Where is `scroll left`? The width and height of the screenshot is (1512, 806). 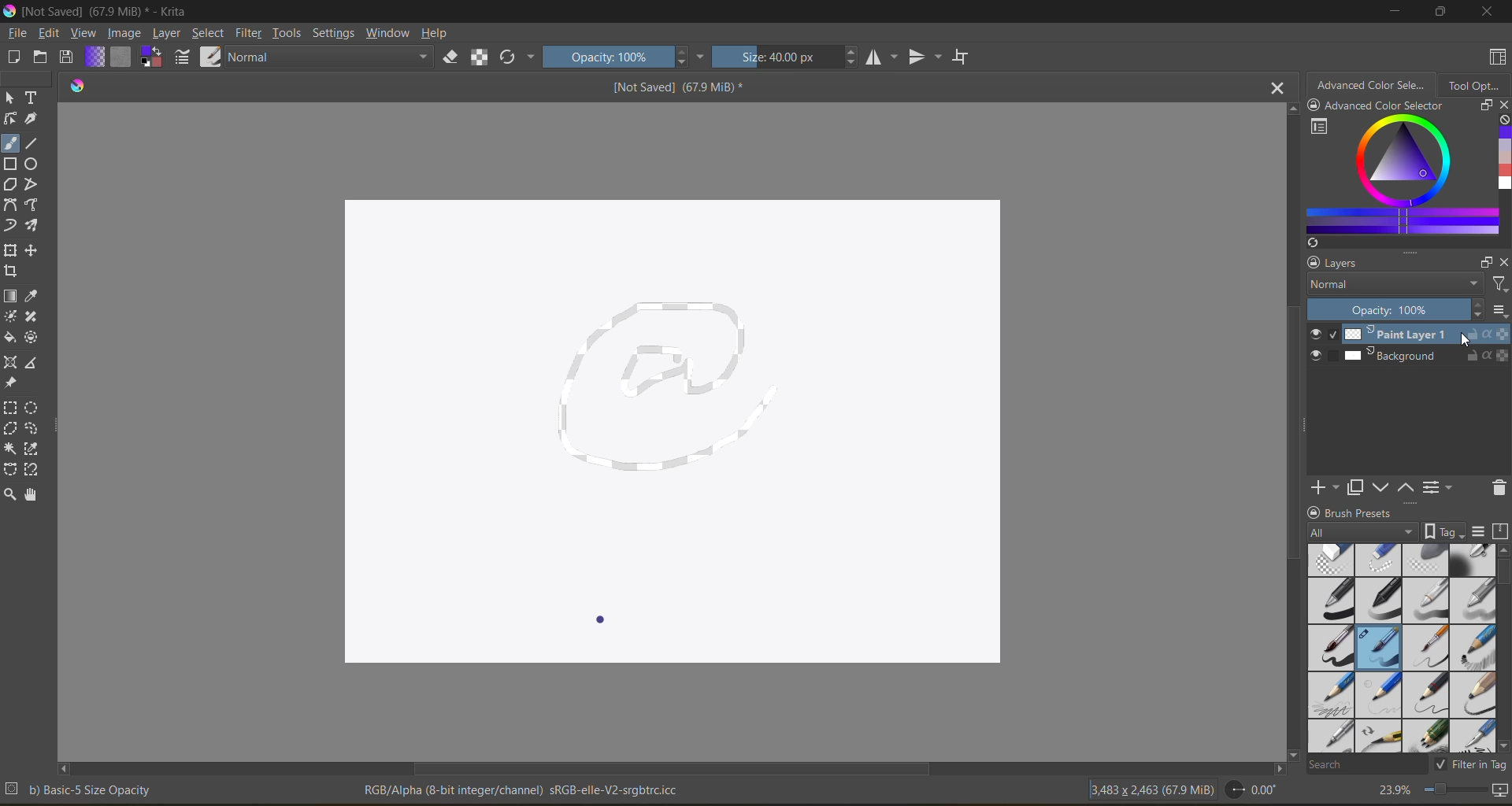
scroll left is located at coordinates (1279, 771).